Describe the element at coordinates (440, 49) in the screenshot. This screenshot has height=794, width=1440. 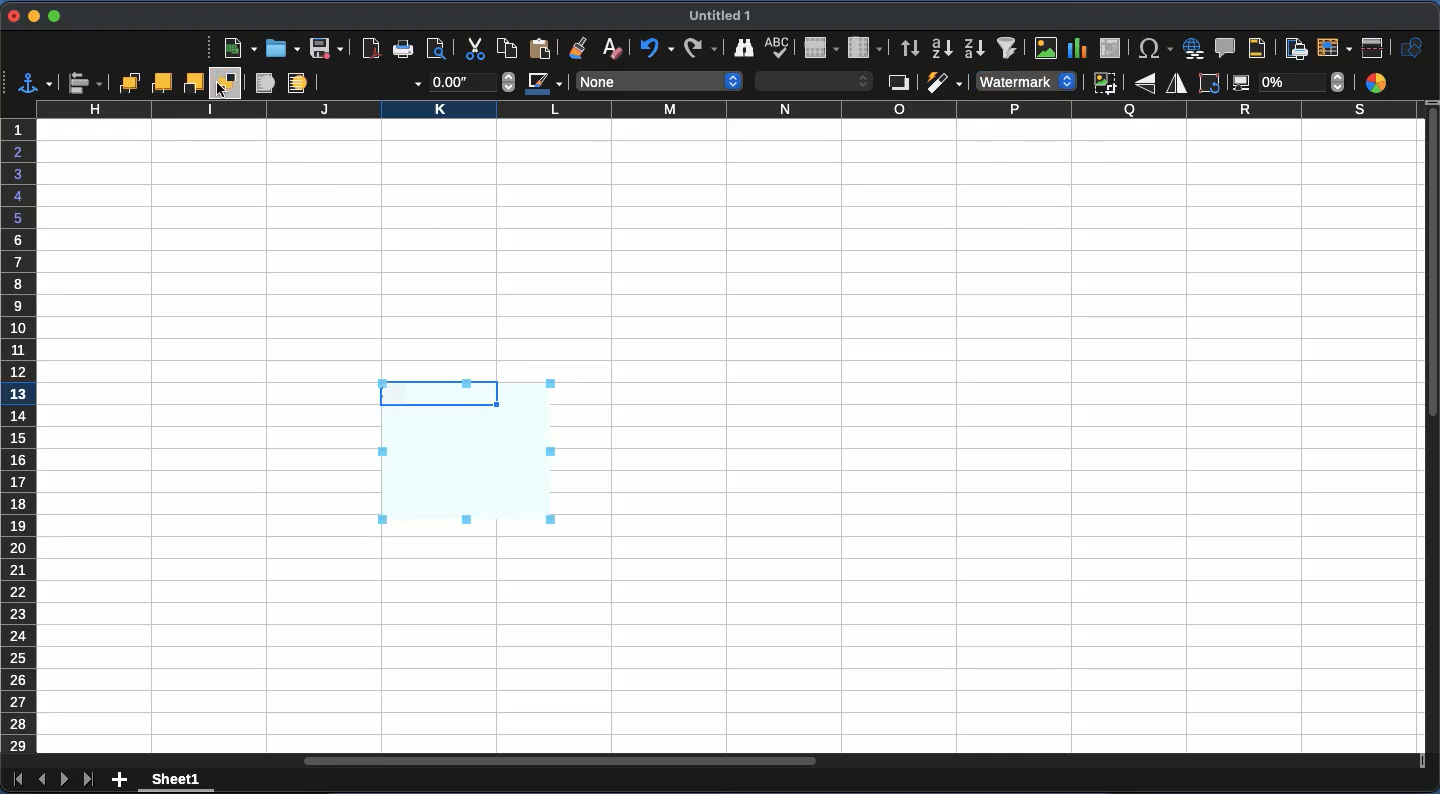
I see `print preview ` at that location.